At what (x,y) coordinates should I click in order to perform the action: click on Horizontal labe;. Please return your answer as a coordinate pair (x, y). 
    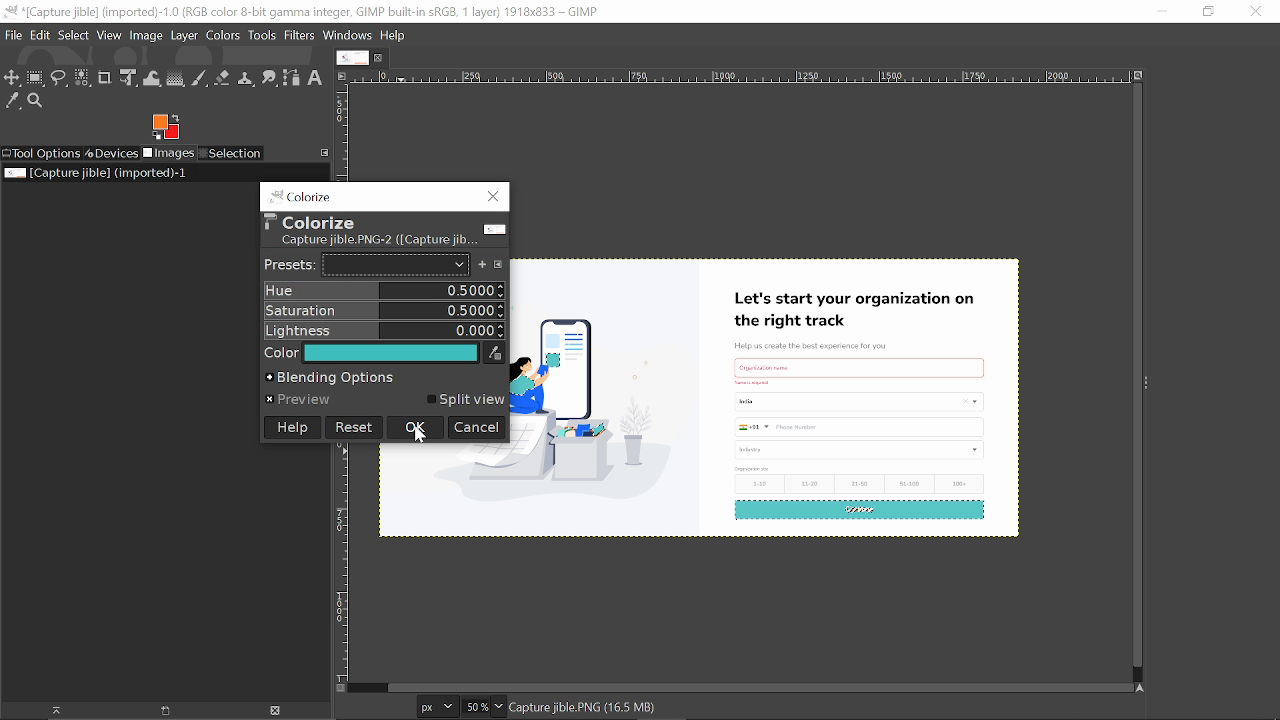
    Looking at the image, I should click on (735, 78).